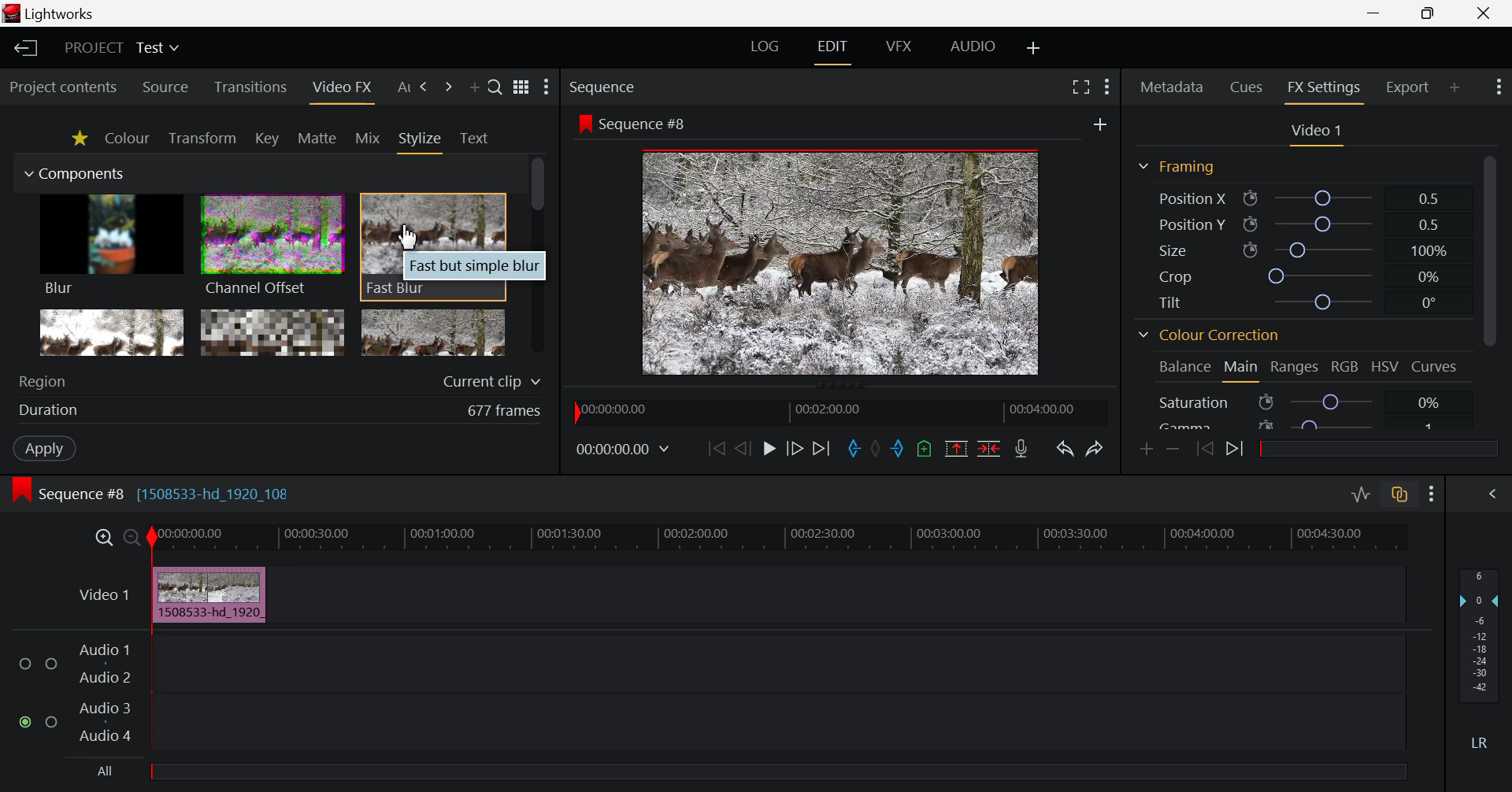 The height and width of the screenshot is (792, 1512). What do you see at coordinates (899, 50) in the screenshot?
I see `VFX` at bounding box center [899, 50].